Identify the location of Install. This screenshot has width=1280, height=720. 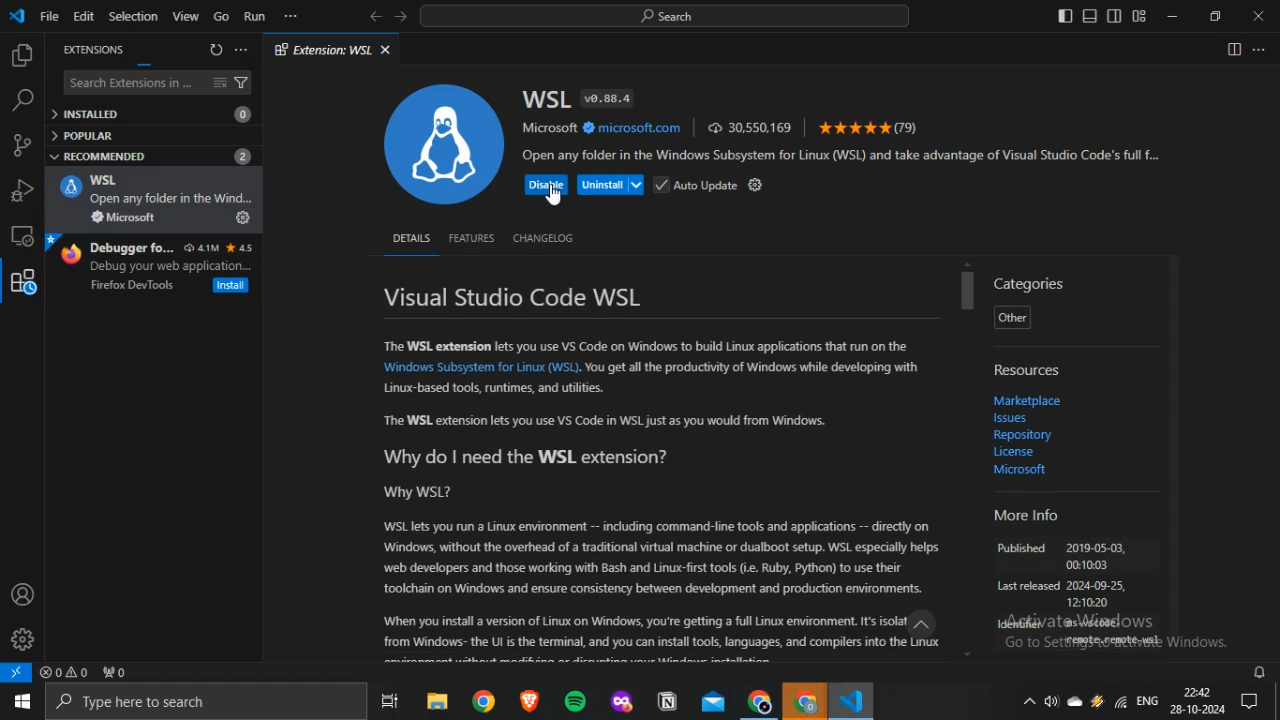
(243, 217).